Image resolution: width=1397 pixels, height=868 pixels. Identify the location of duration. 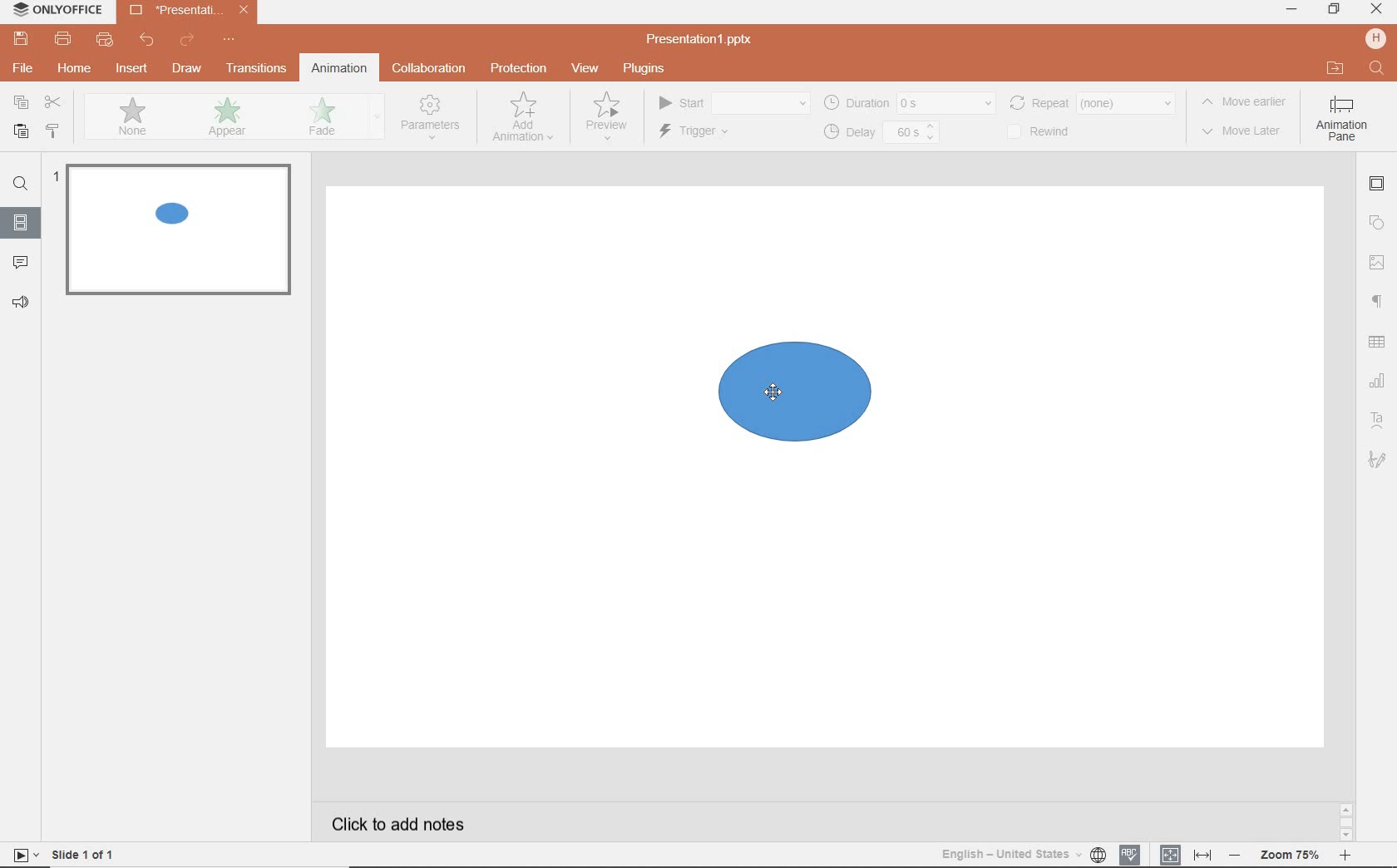
(908, 102).